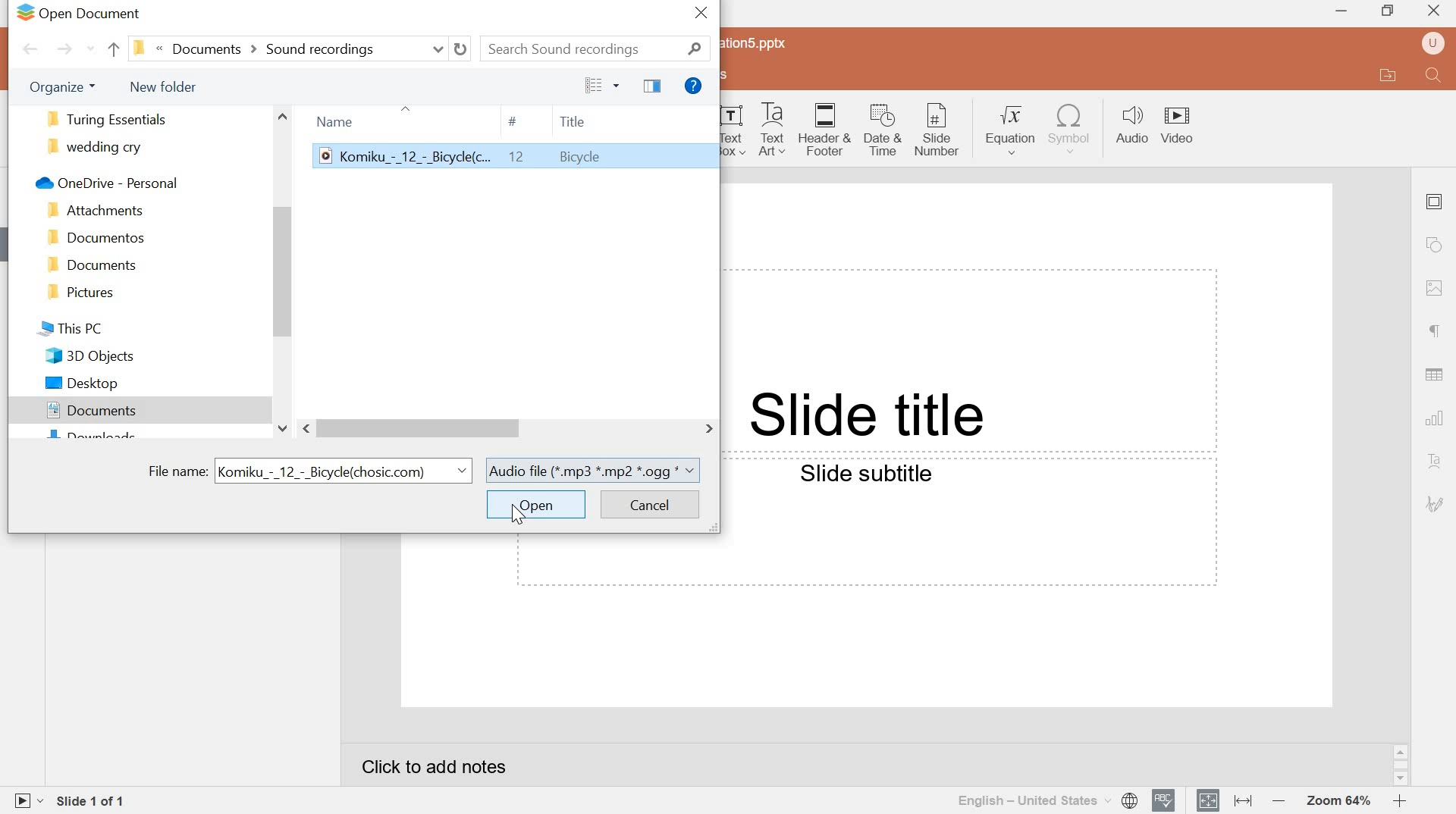 The width and height of the screenshot is (1456, 814). Describe the element at coordinates (1432, 43) in the screenshot. I see `user` at that location.